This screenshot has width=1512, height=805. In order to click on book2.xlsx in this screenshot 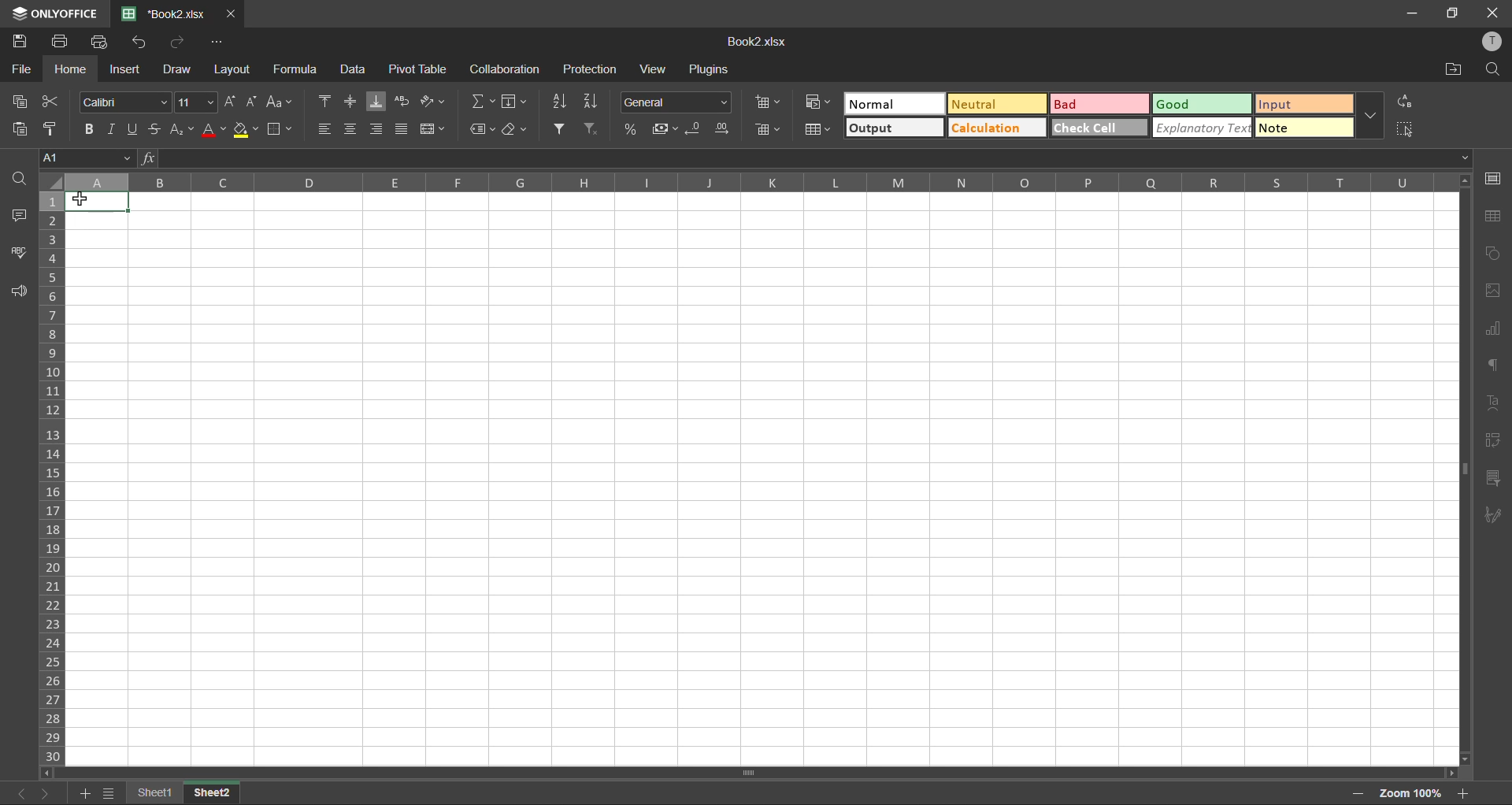, I will do `click(162, 13)`.